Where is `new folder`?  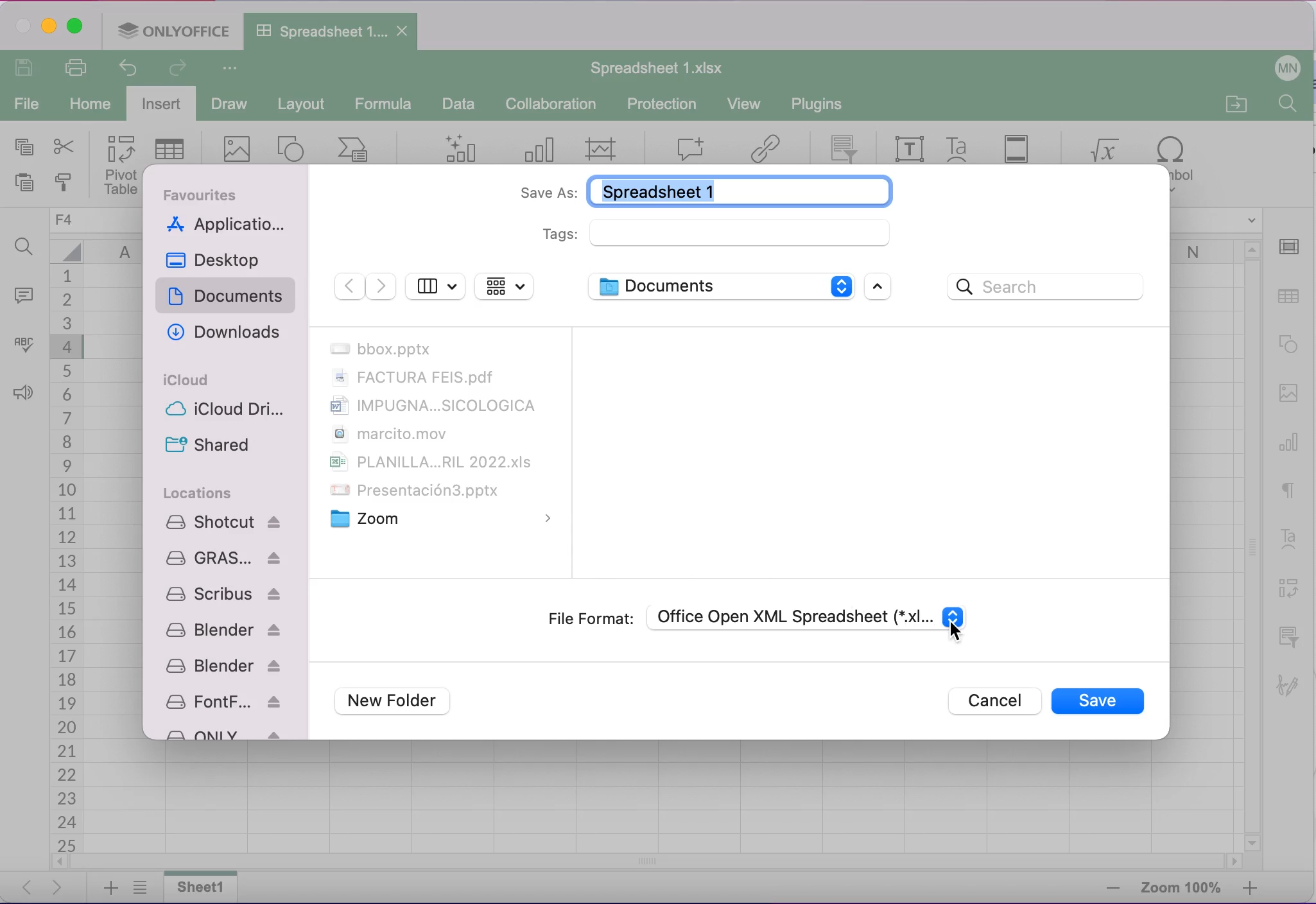
new folder is located at coordinates (398, 702).